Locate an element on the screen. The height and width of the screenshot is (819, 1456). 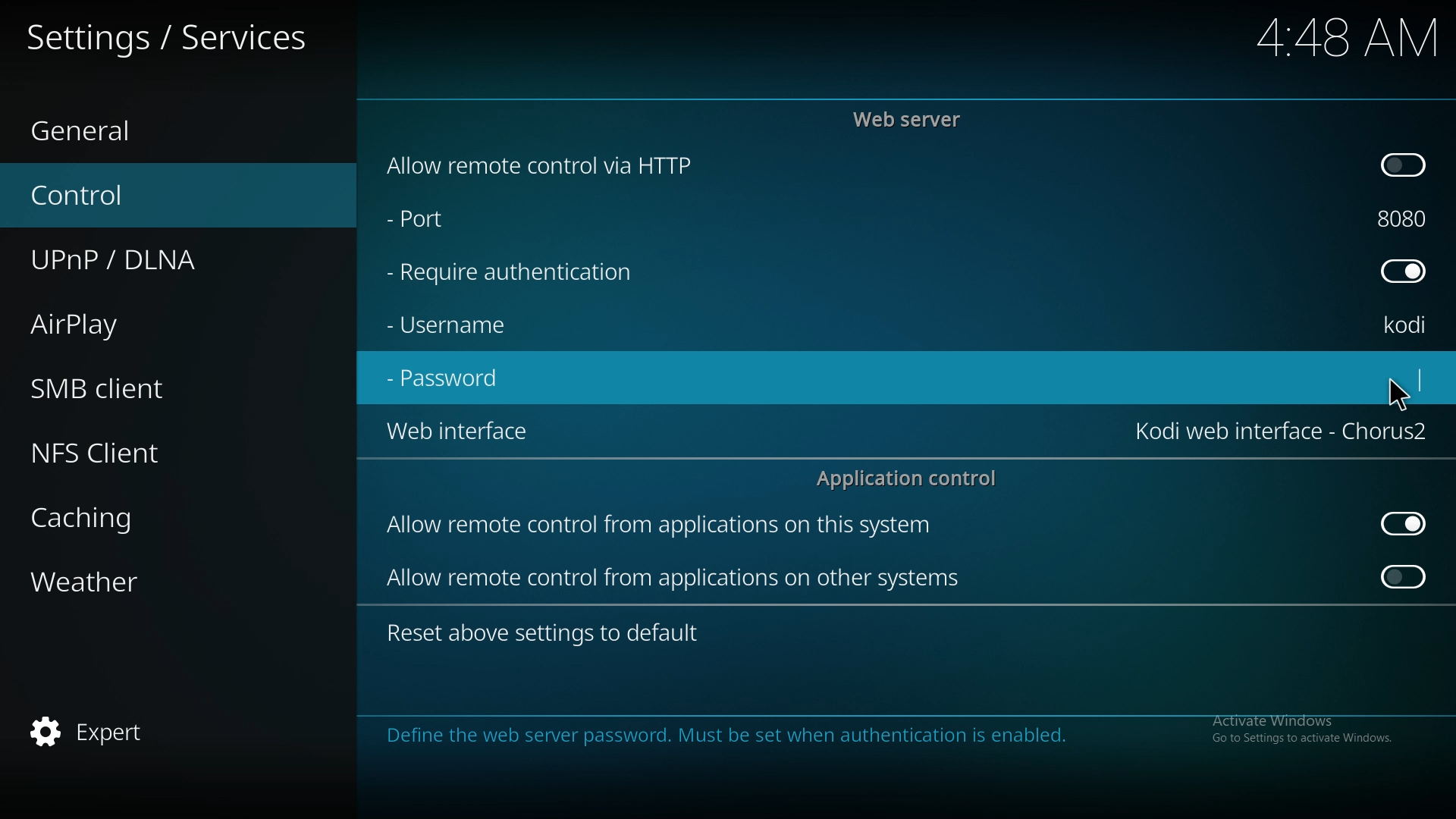
upnp/dlna is located at coordinates (139, 261).